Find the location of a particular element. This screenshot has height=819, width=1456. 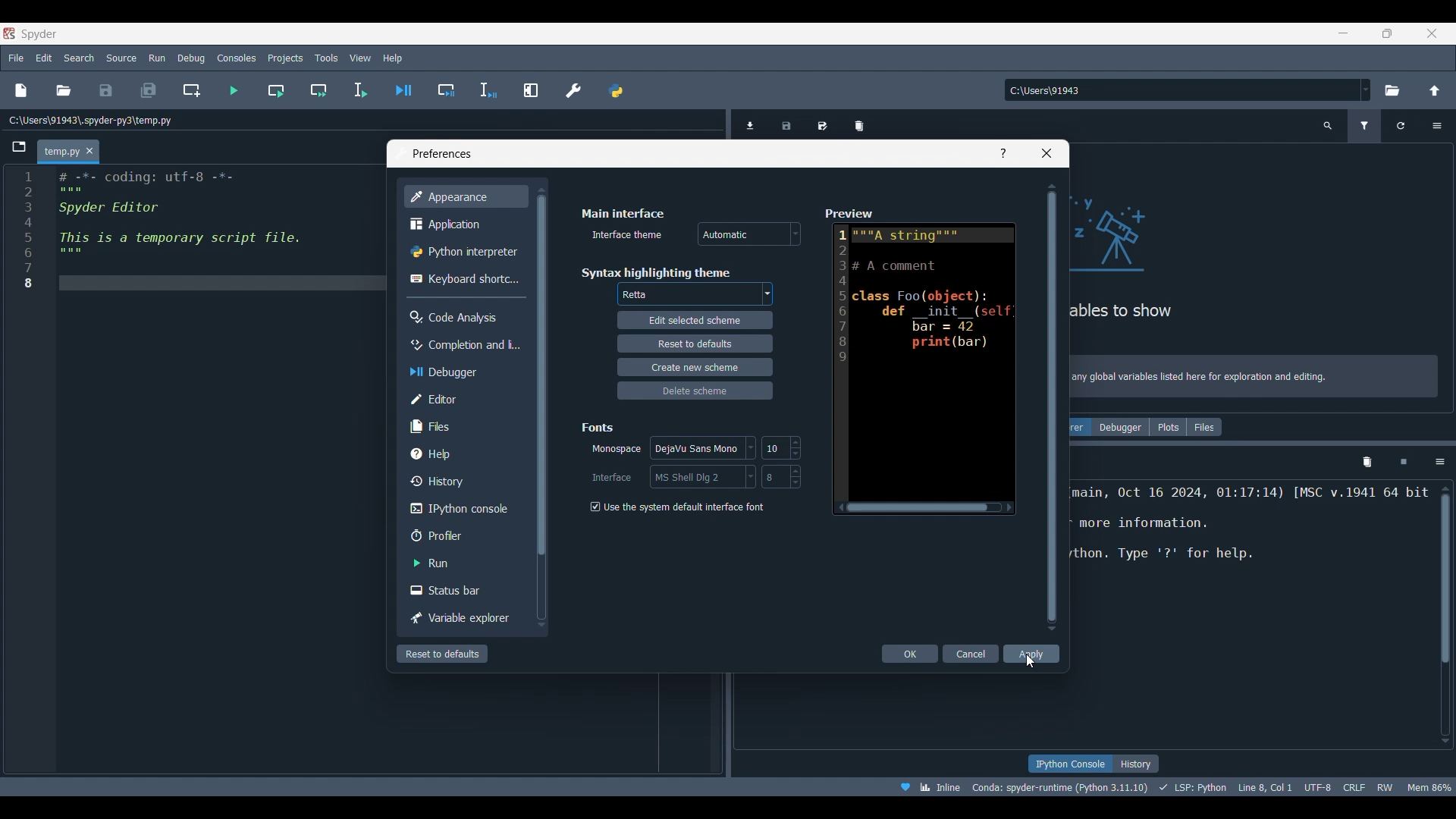

font size is located at coordinates (781, 476).